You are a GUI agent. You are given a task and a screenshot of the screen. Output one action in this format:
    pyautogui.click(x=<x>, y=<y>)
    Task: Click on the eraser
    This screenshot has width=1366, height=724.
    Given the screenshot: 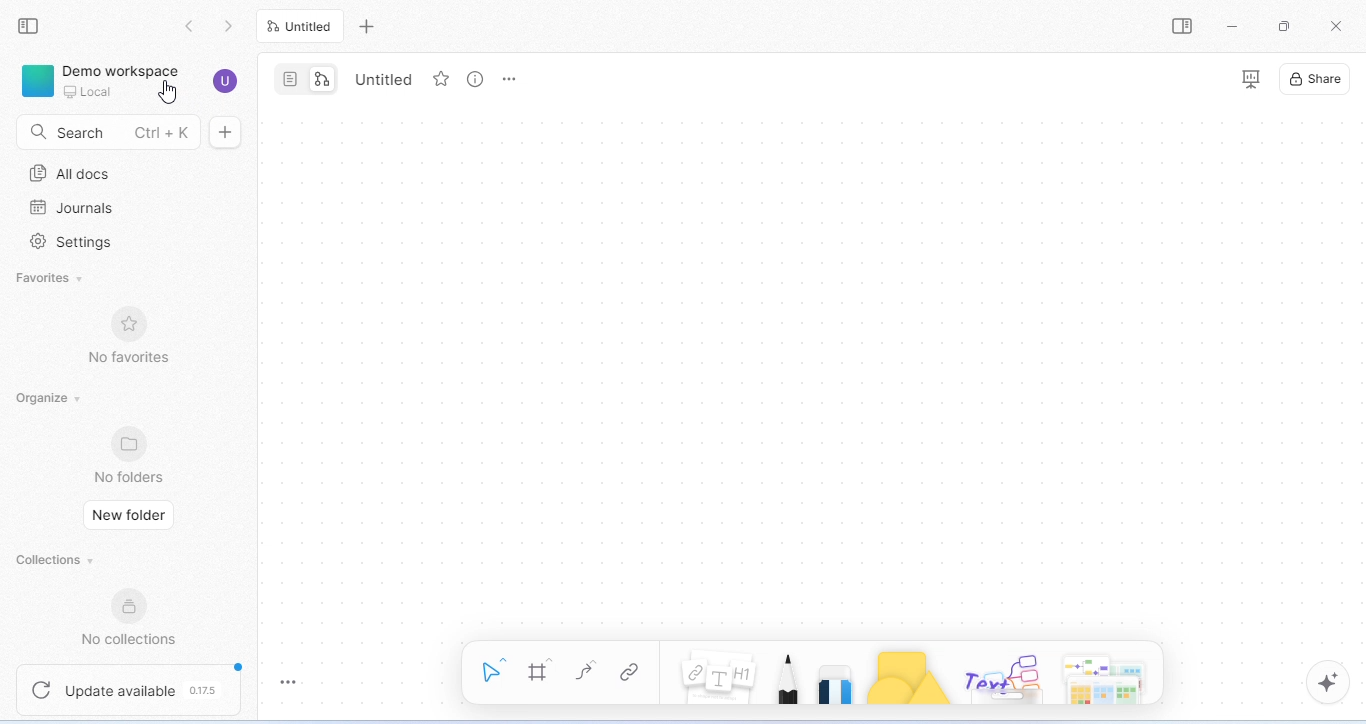 What is the action you would take?
    pyautogui.click(x=839, y=683)
    